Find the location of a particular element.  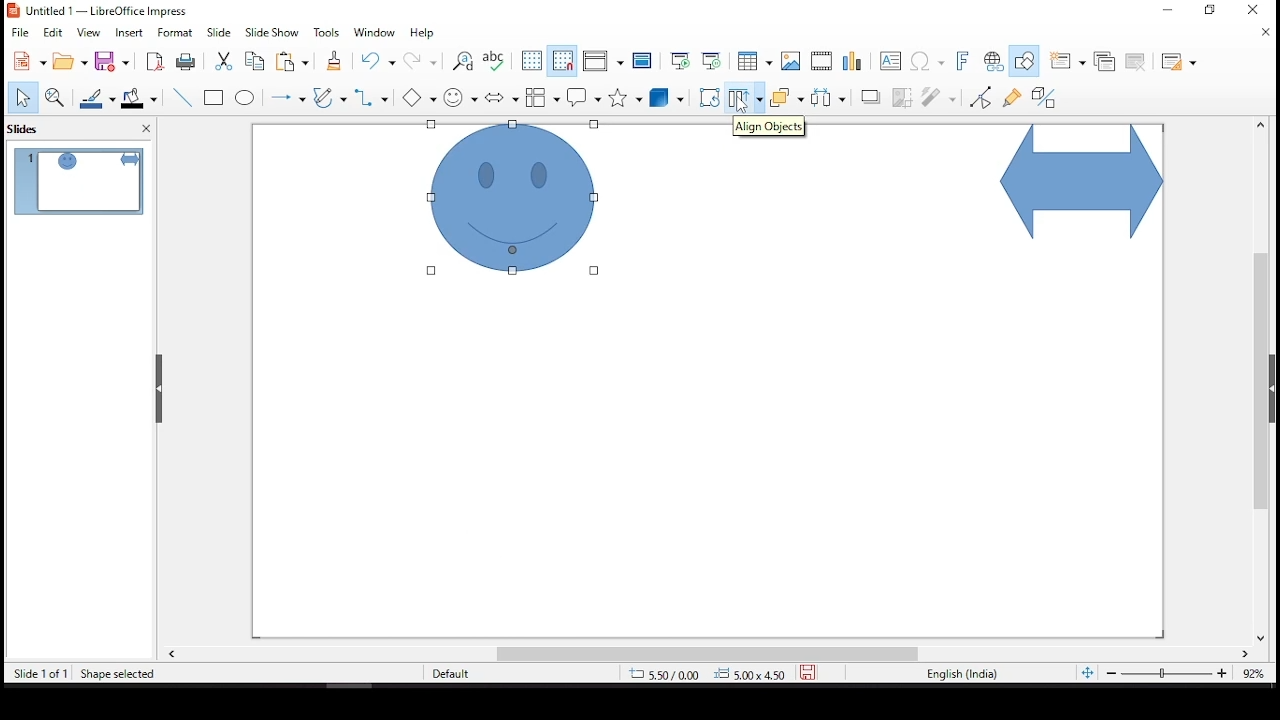

redo is located at coordinates (422, 65).